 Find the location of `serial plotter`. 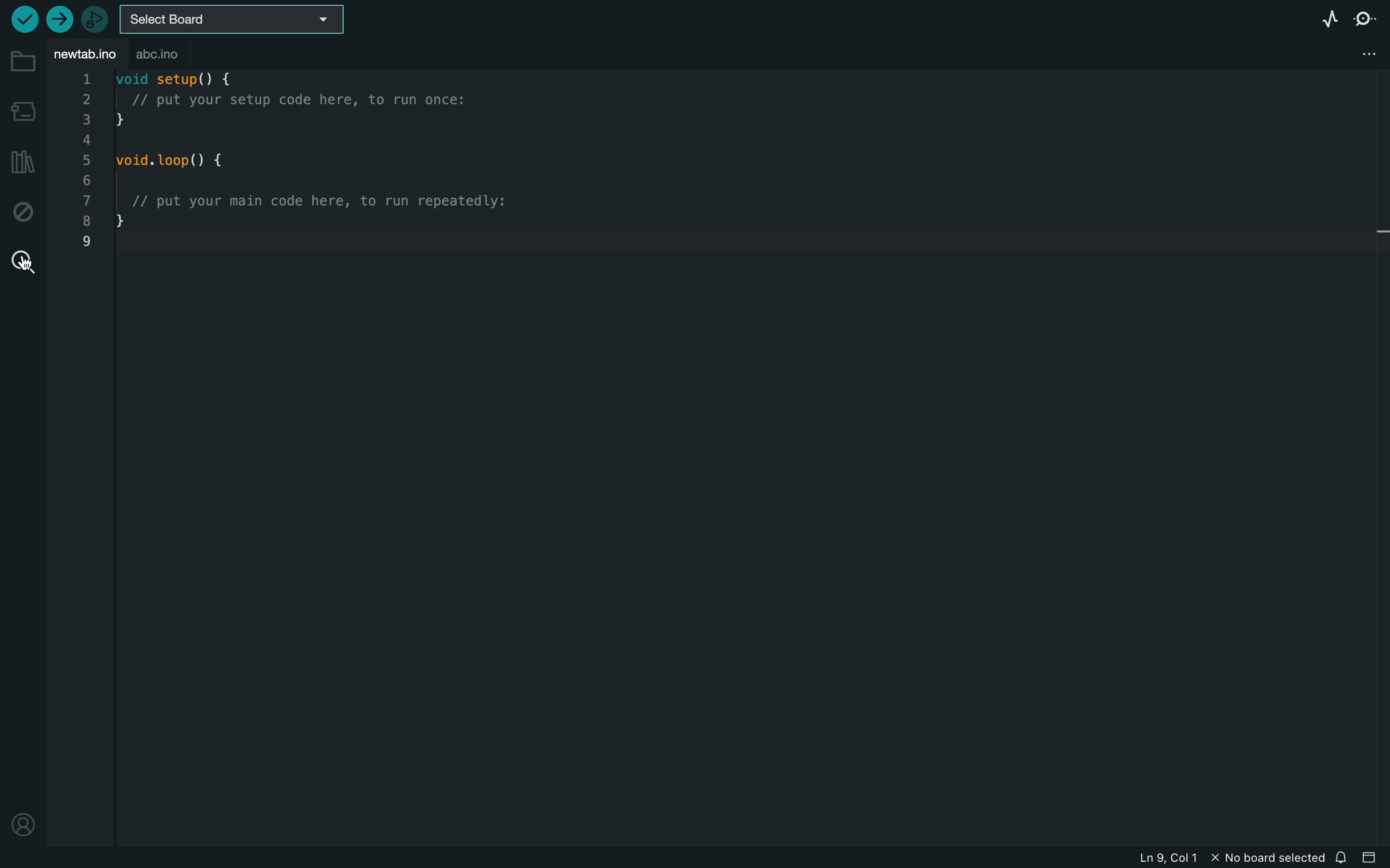

serial plotter is located at coordinates (1315, 17).